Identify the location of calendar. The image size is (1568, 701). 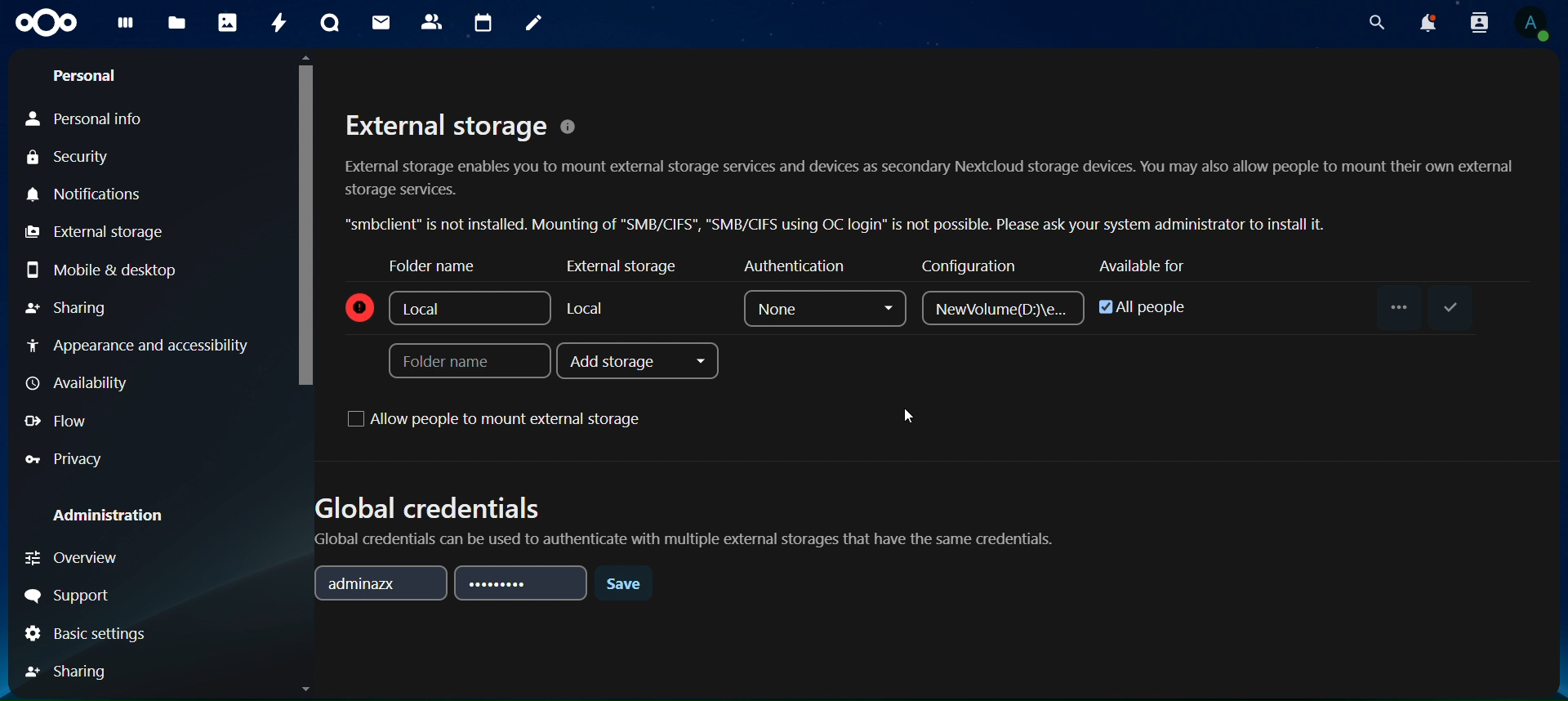
(484, 21).